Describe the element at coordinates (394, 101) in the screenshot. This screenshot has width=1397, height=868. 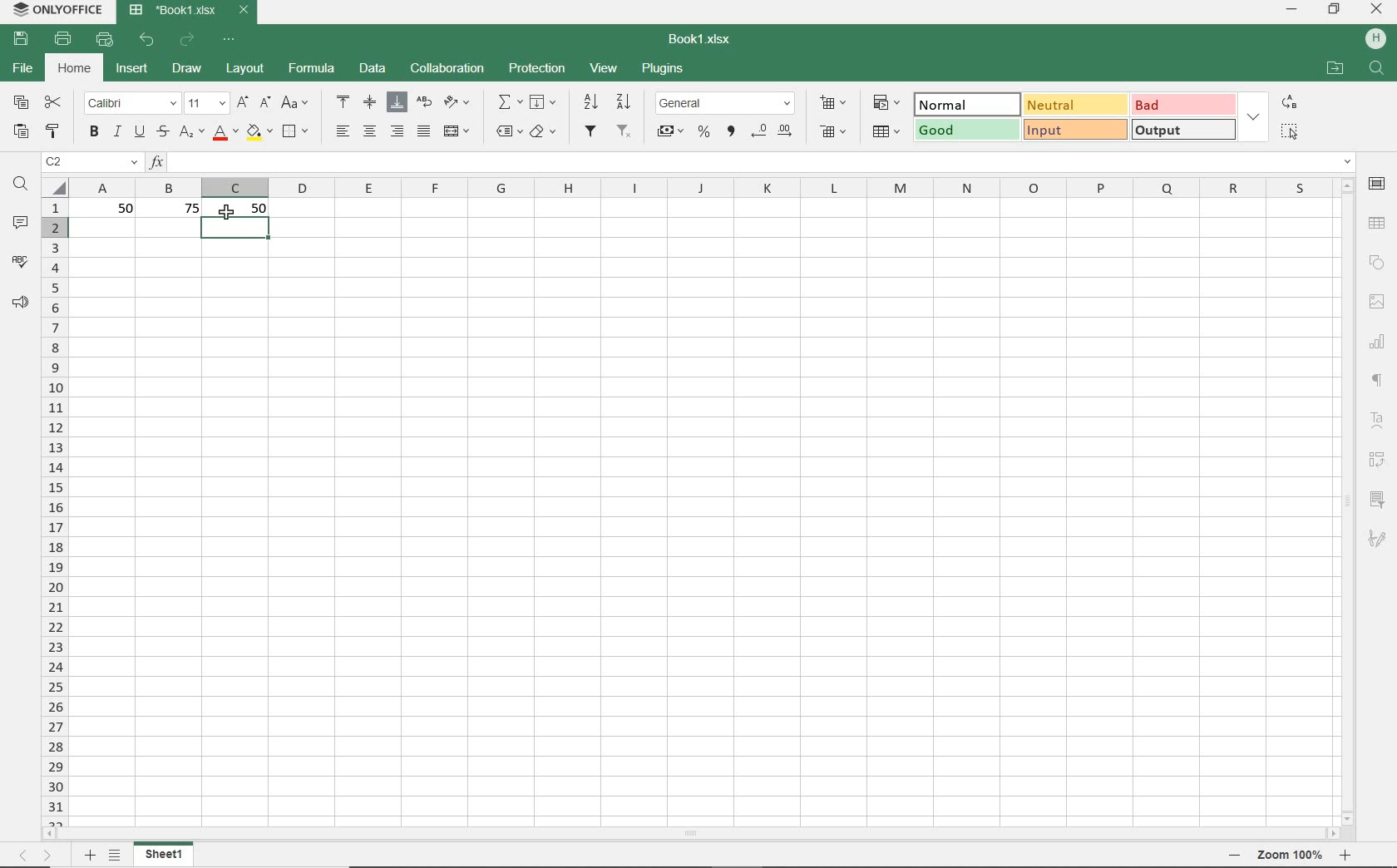
I see `align bottom` at that location.